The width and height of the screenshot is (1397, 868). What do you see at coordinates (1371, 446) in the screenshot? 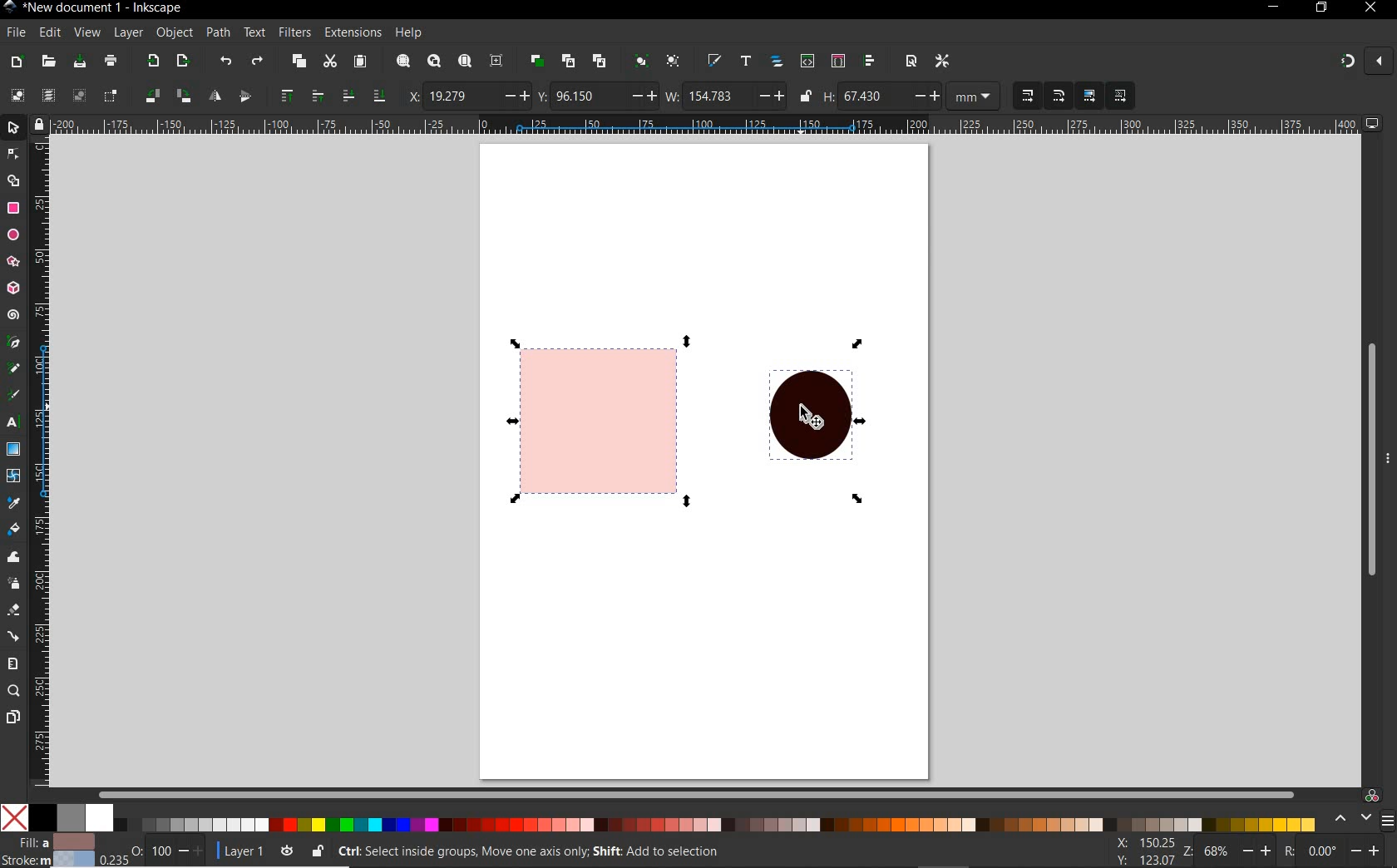
I see `scrollbar` at bounding box center [1371, 446].